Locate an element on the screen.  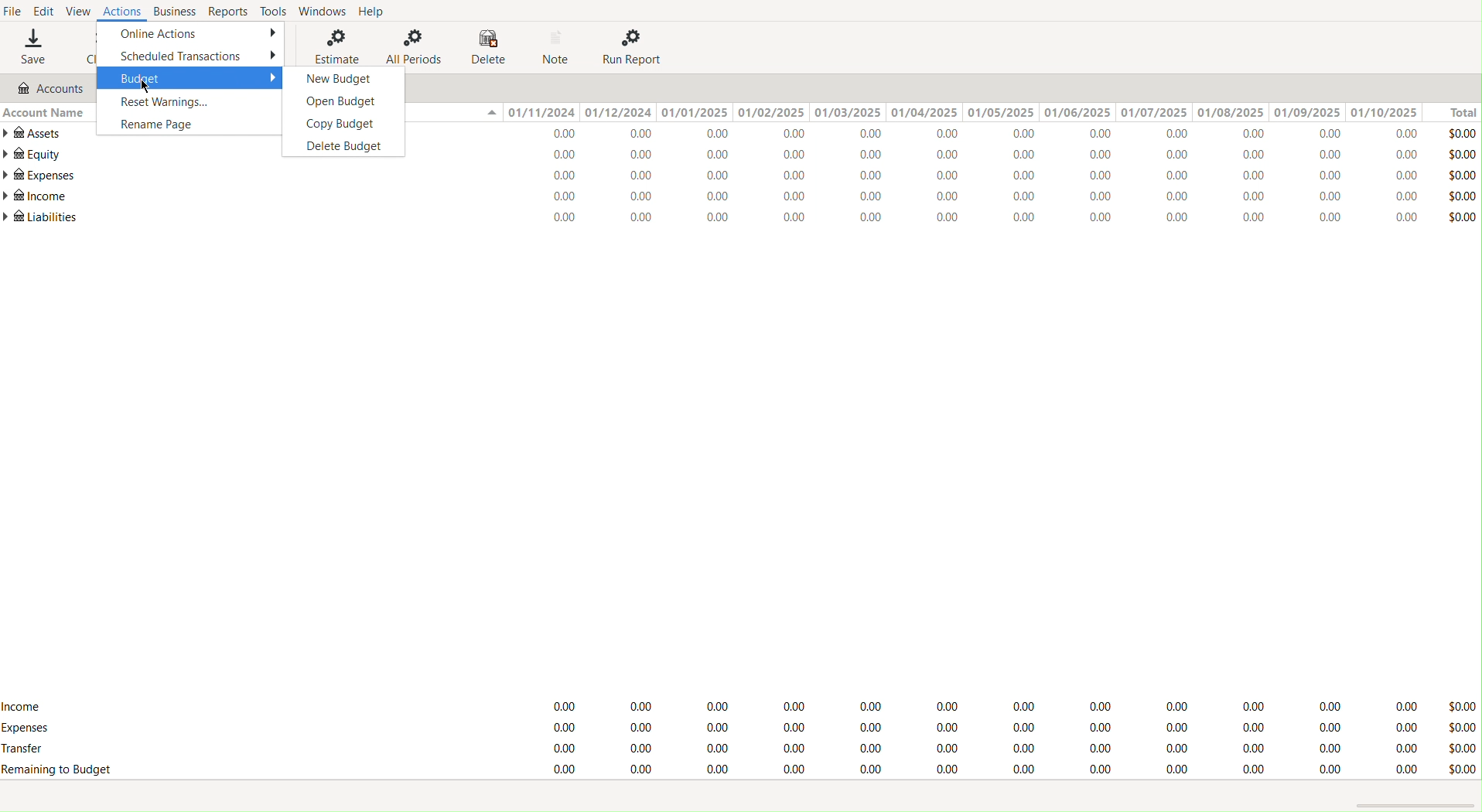
File is located at coordinates (13, 11).